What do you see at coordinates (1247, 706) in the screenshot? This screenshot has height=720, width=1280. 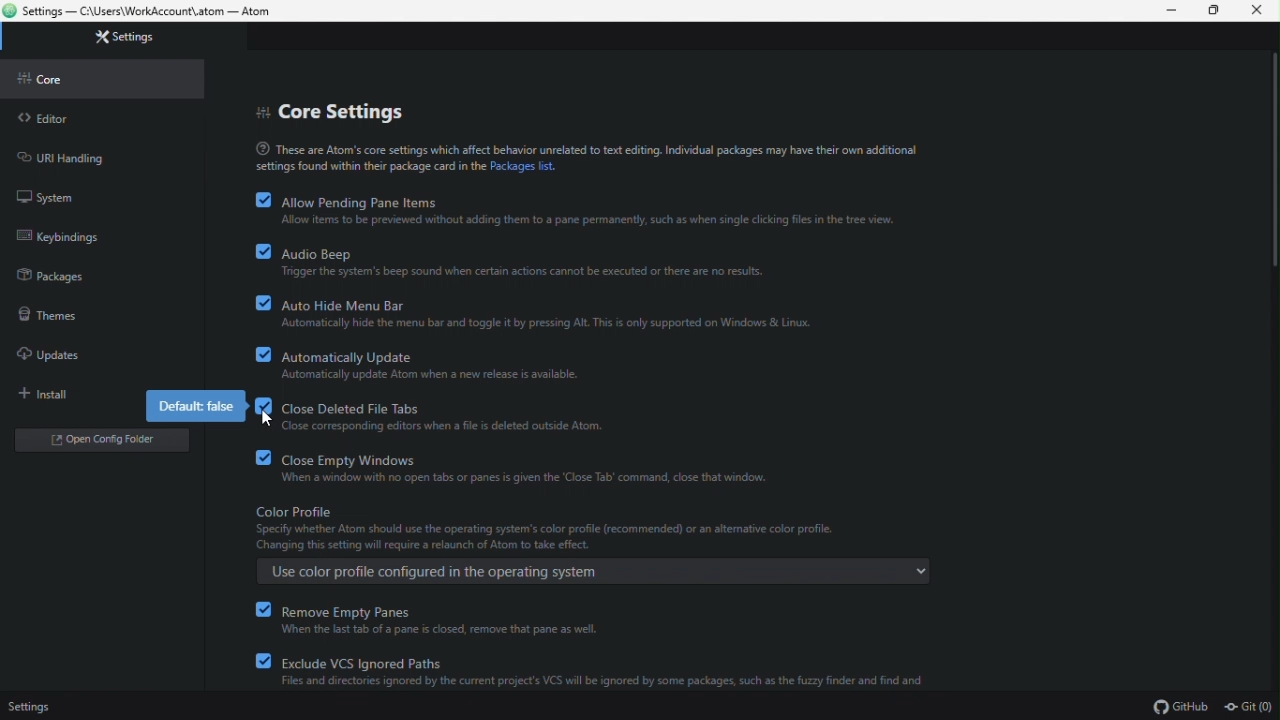 I see `Git (0)` at bounding box center [1247, 706].